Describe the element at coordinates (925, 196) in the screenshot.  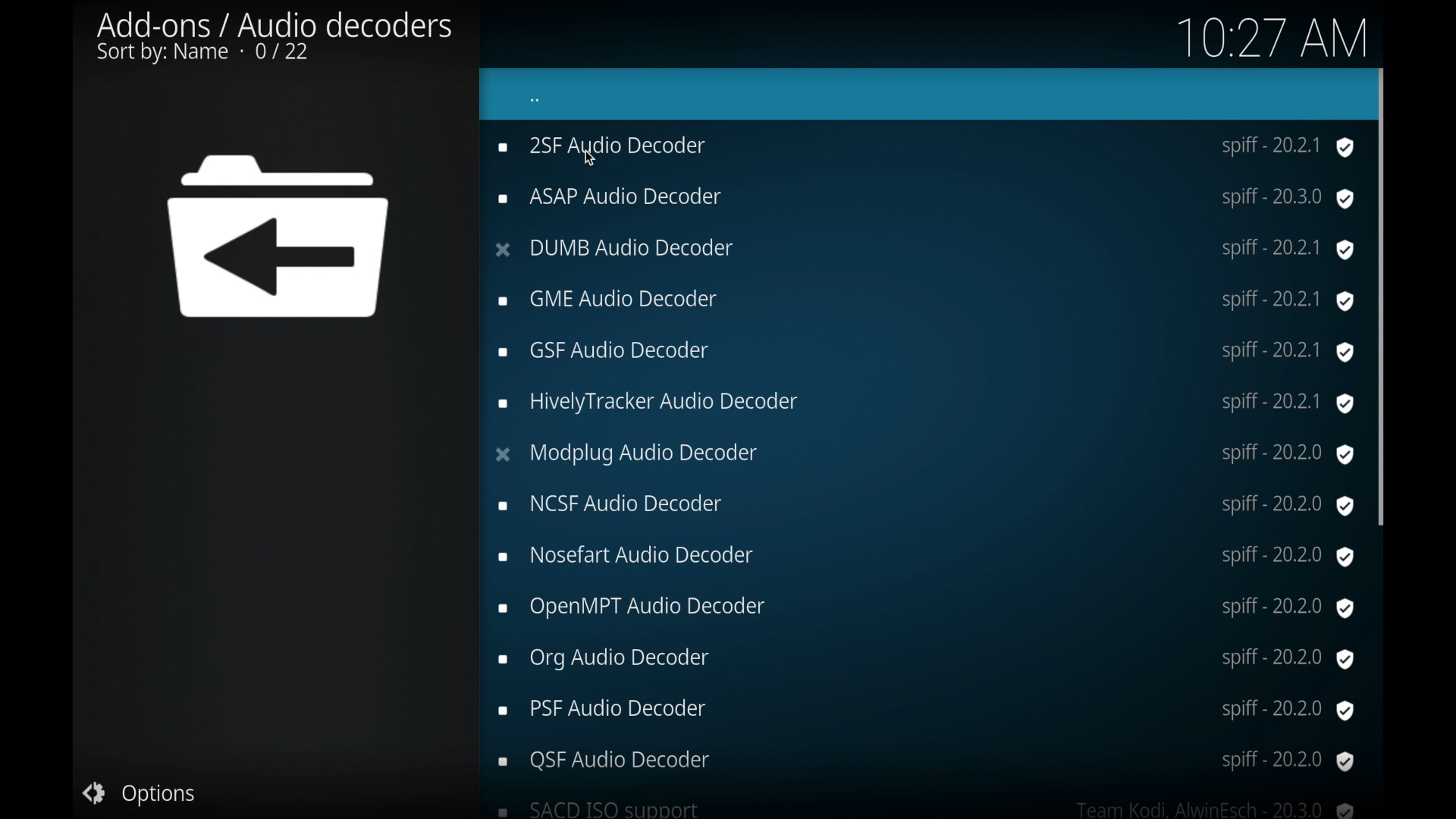
I see `sw DUMB Audio Decoder <piff-202.1 @&` at that location.